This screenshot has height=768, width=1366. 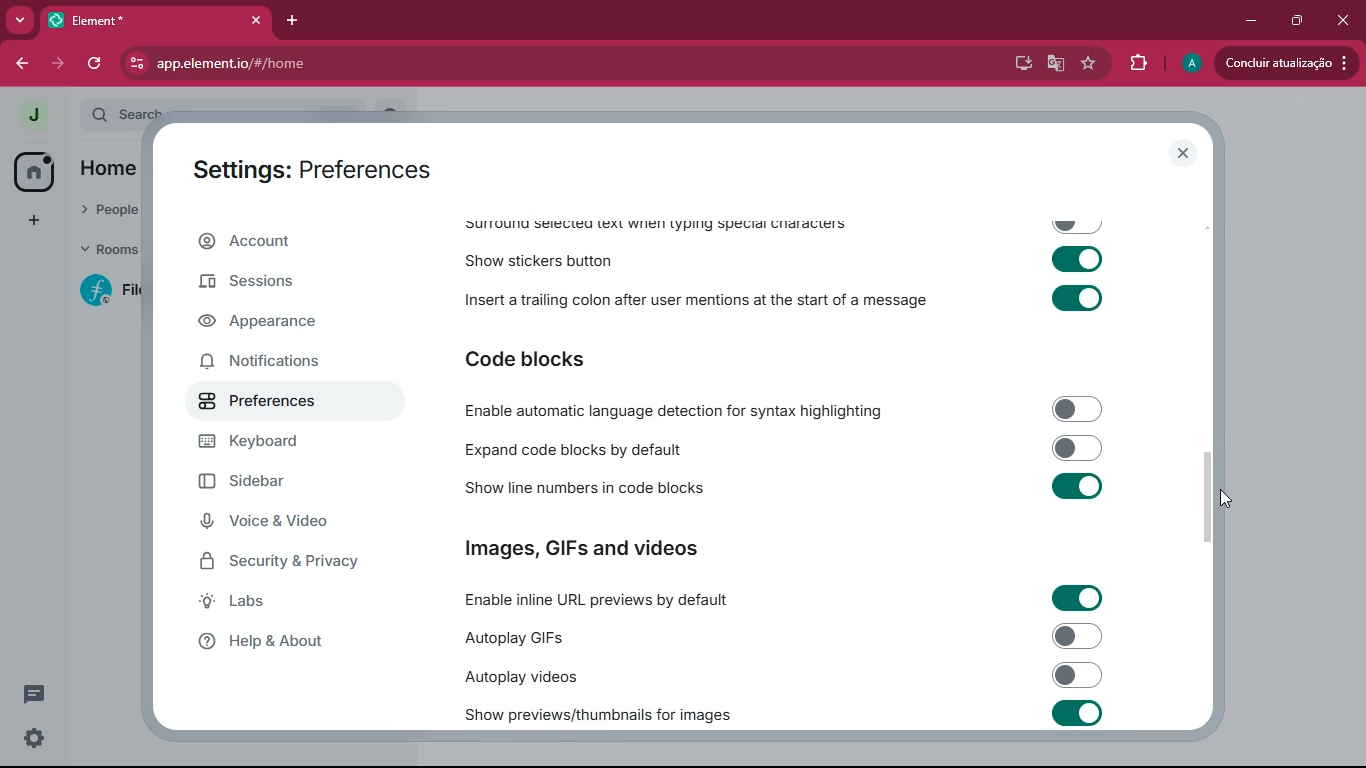 I want to click on maximize, so click(x=1296, y=22).